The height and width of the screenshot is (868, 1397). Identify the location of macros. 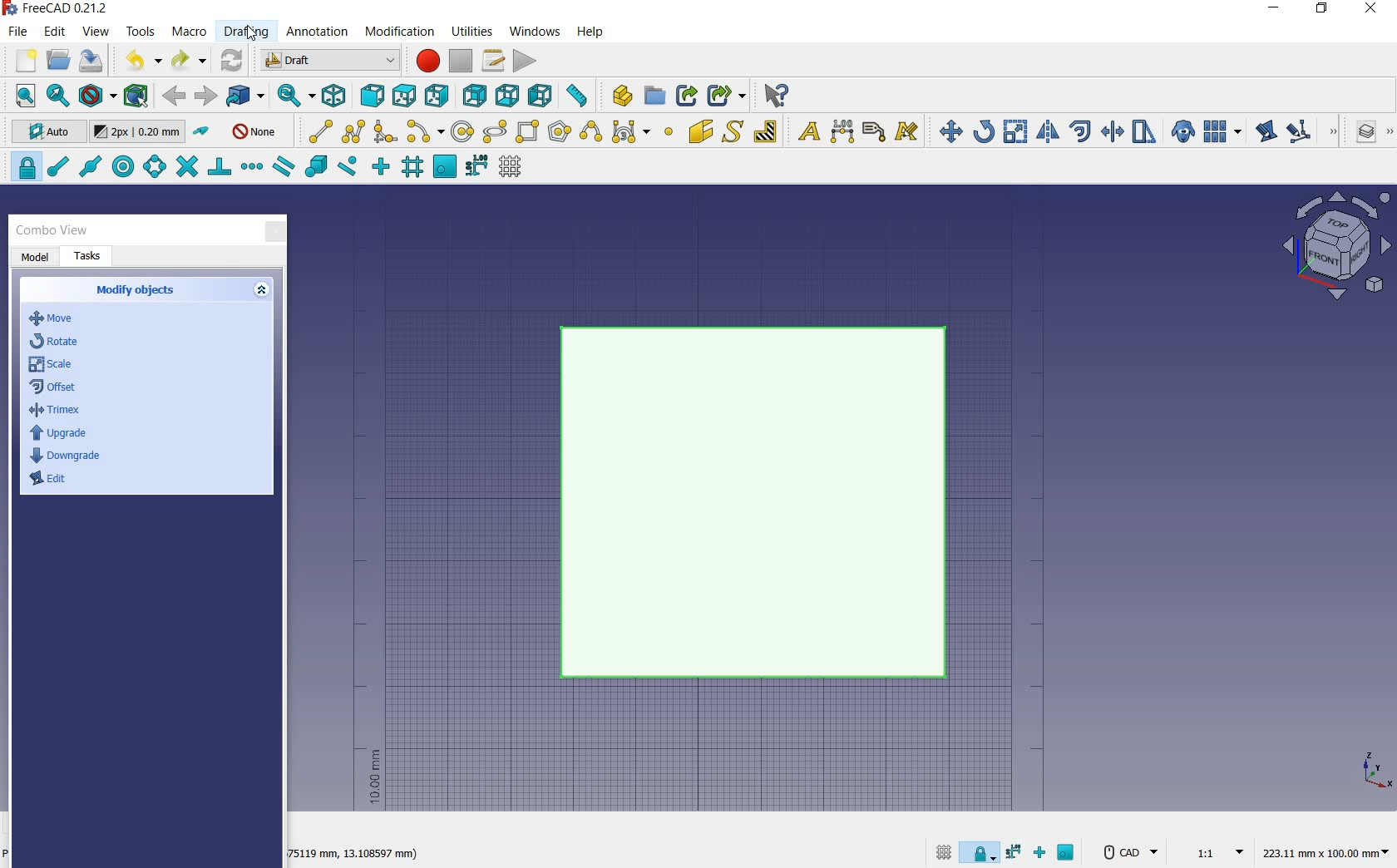
(494, 61).